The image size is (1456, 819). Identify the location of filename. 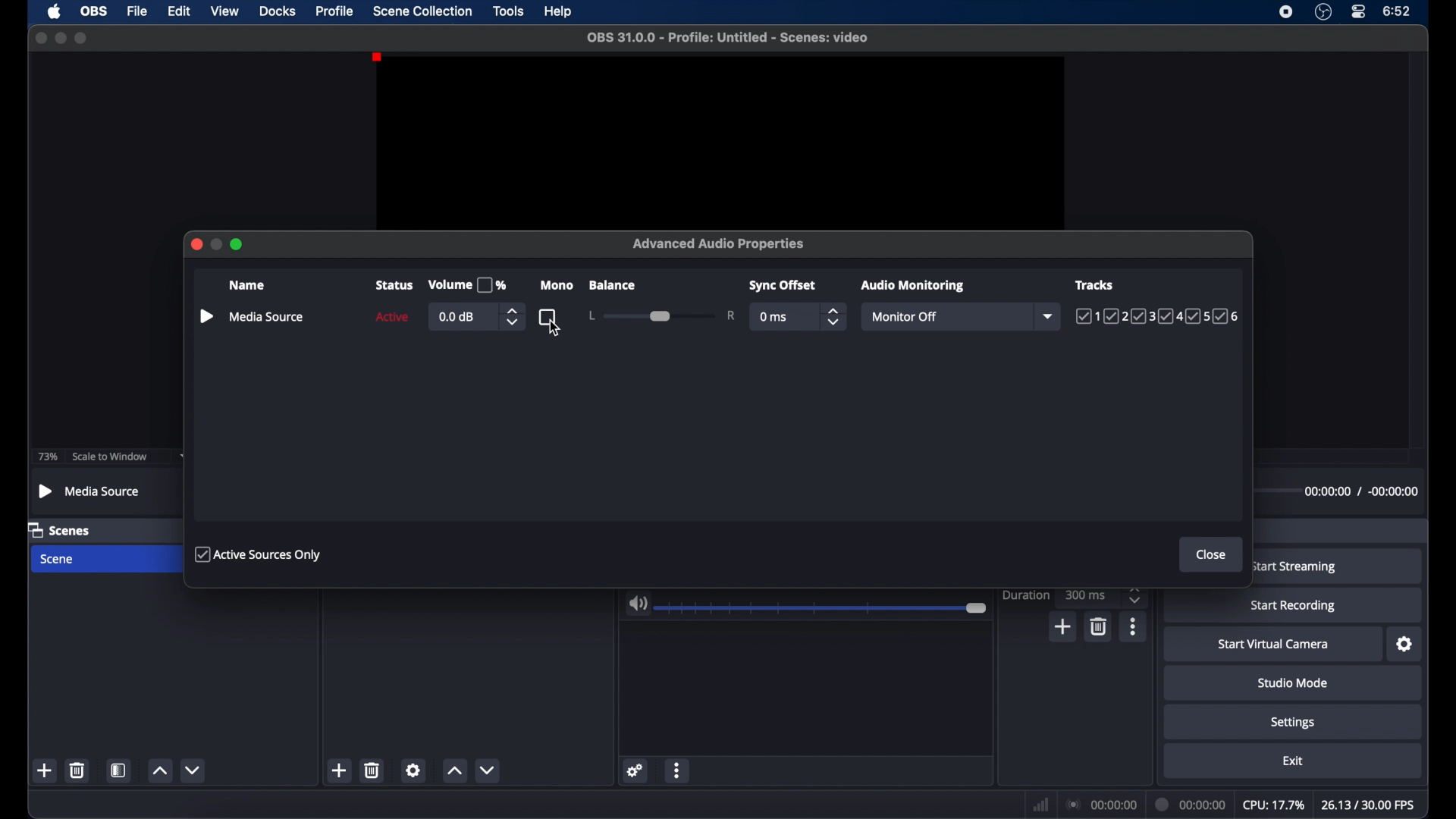
(728, 38).